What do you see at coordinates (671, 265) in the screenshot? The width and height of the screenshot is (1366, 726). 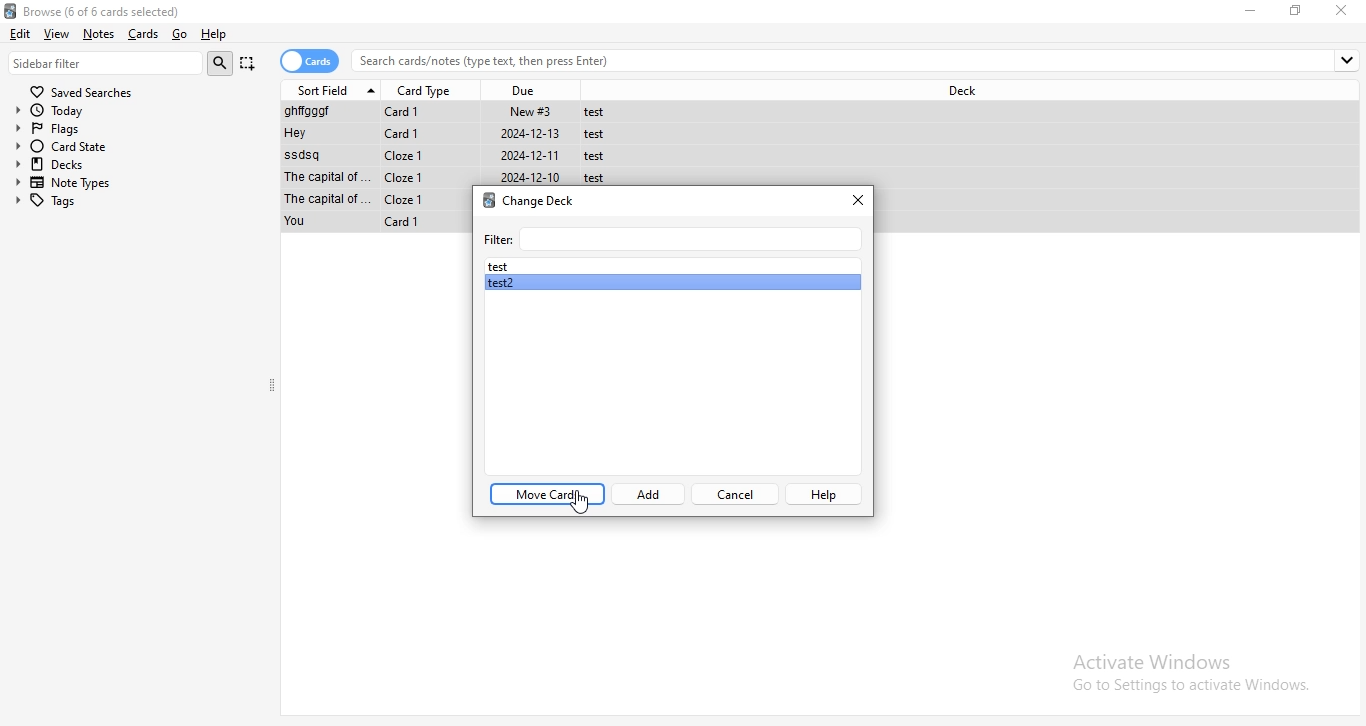 I see `test` at bounding box center [671, 265].